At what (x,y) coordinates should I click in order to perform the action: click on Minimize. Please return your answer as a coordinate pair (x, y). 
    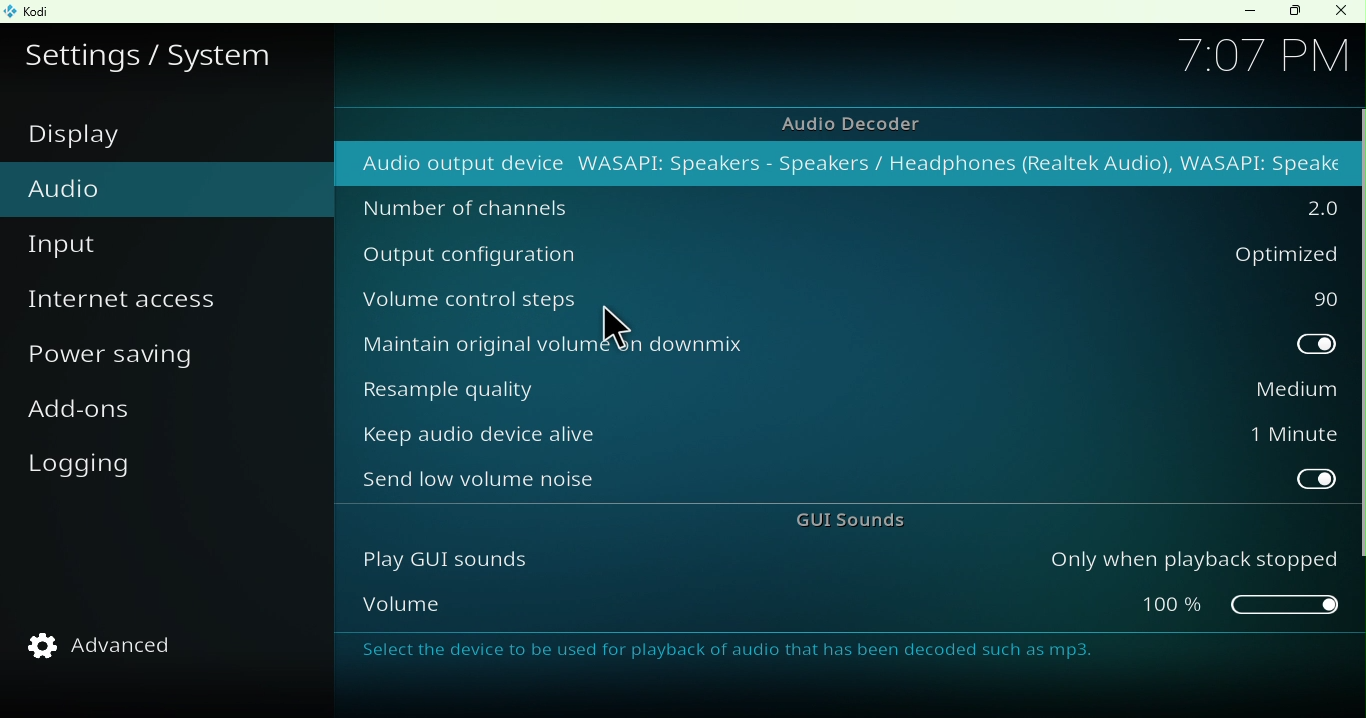
    Looking at the image, I should click on (1240, 13).